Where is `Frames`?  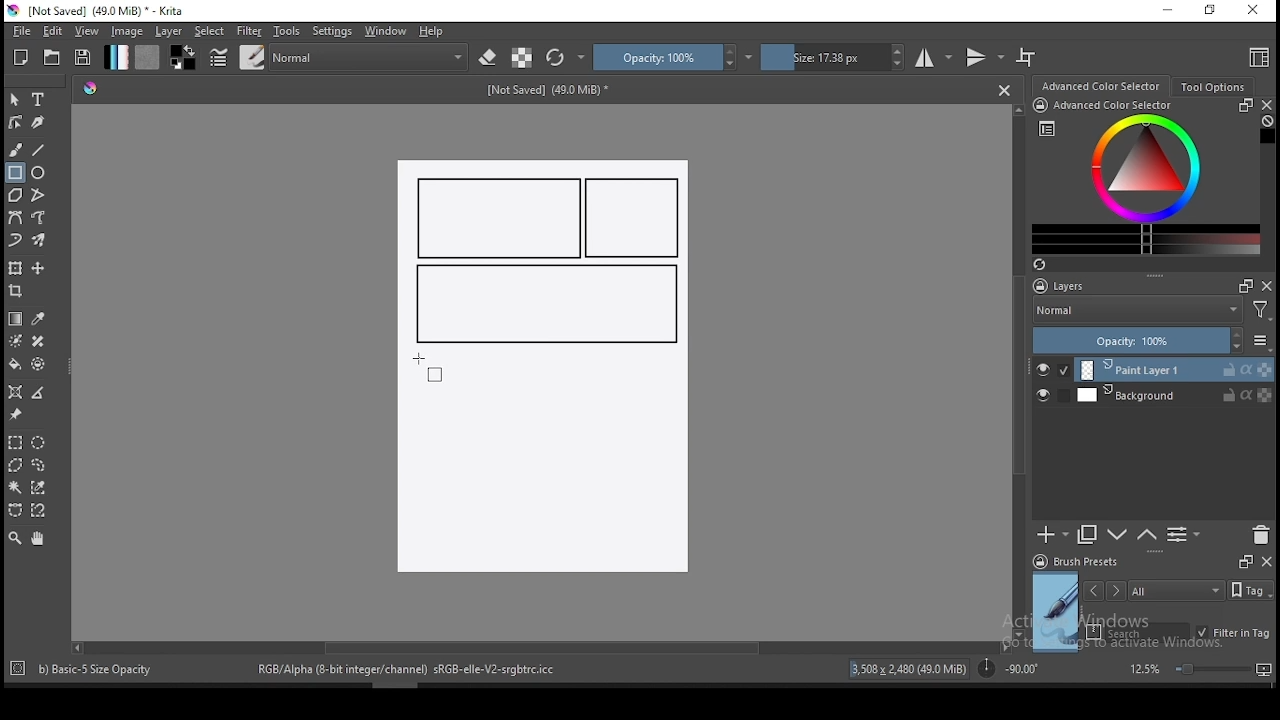
Frames is located at coordinates (1245, 561).